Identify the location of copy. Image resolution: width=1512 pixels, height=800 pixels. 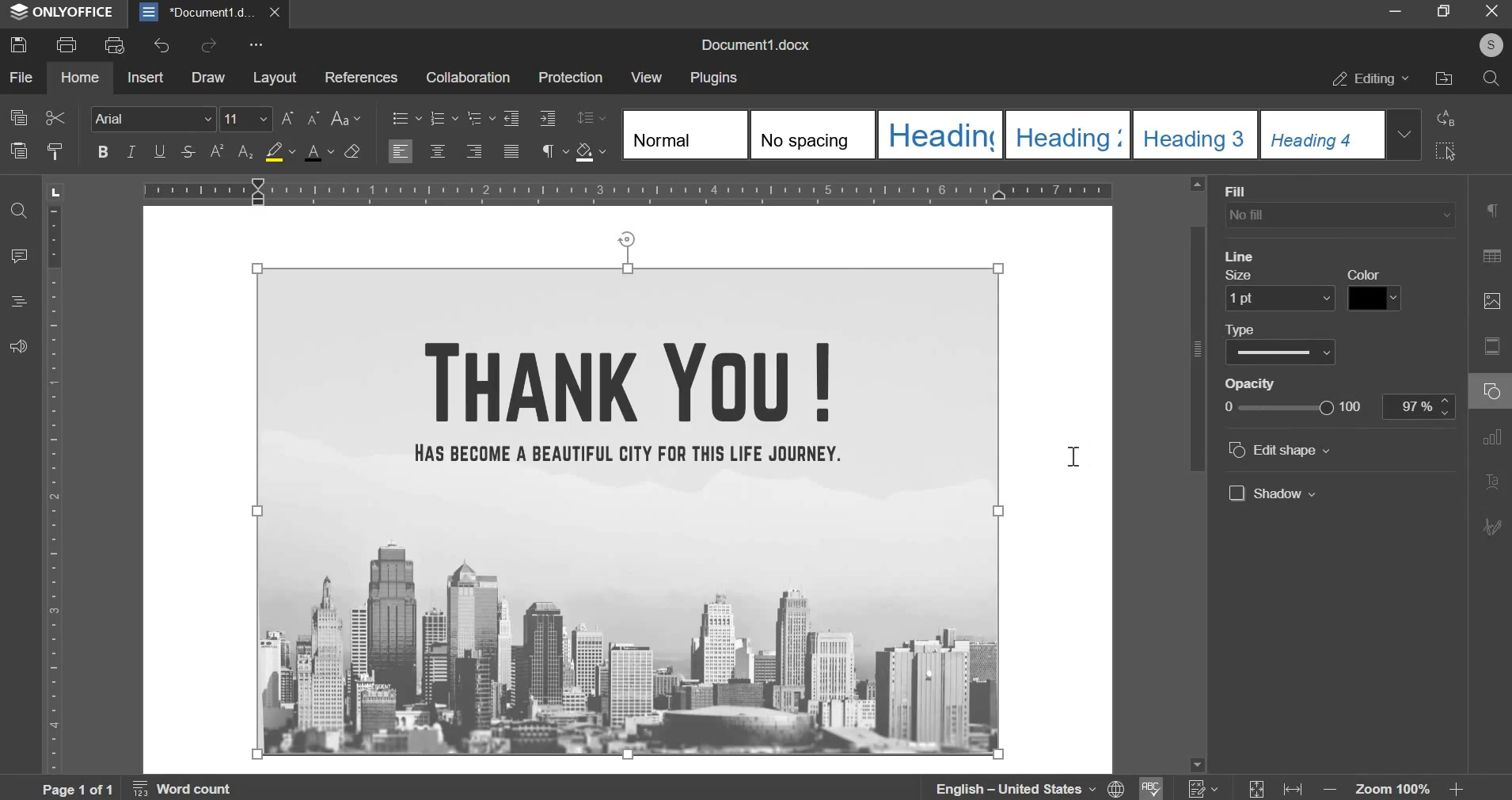
(18, 117).